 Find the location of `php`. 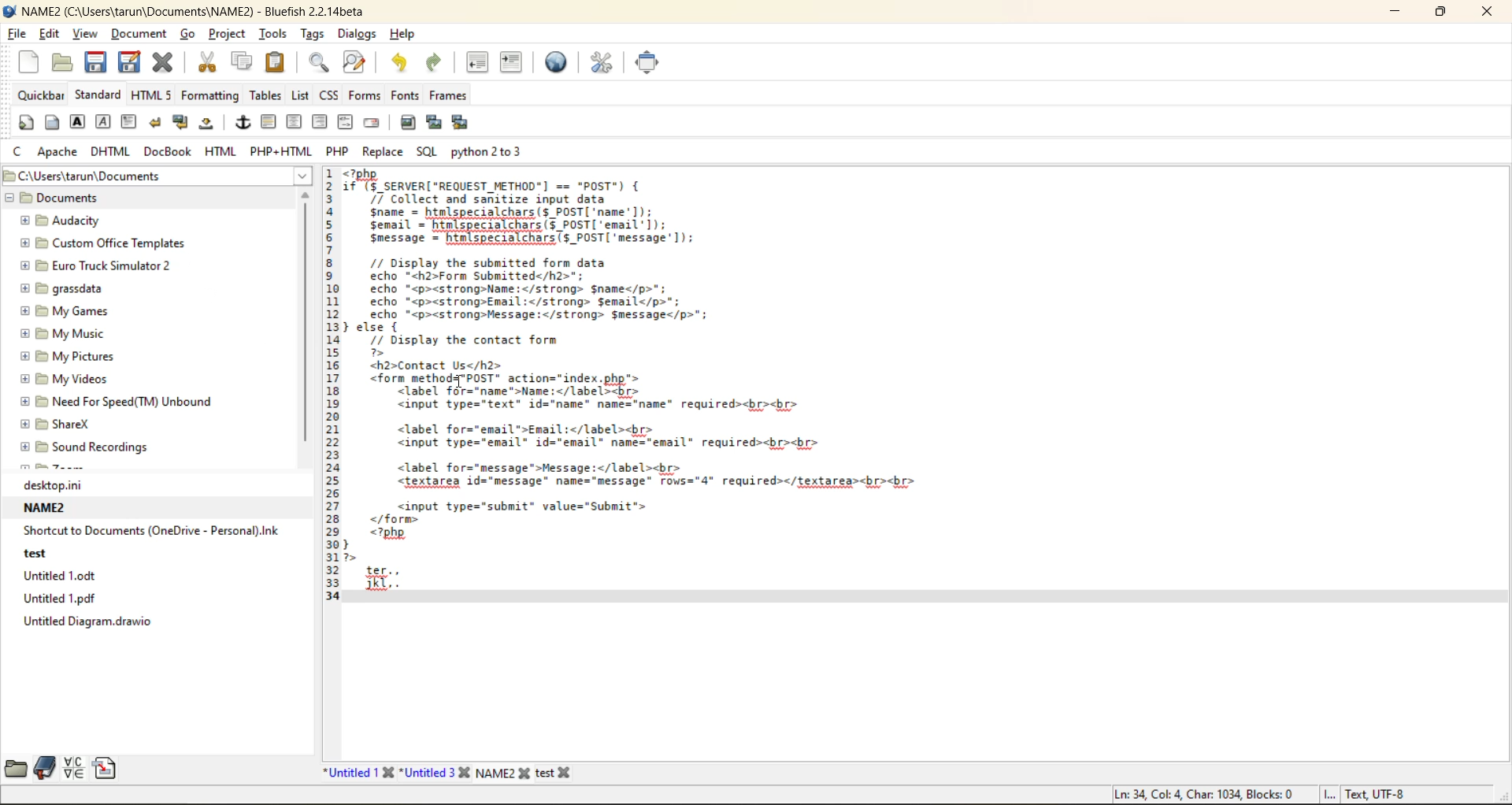

php is located at coordinates (338, 150).